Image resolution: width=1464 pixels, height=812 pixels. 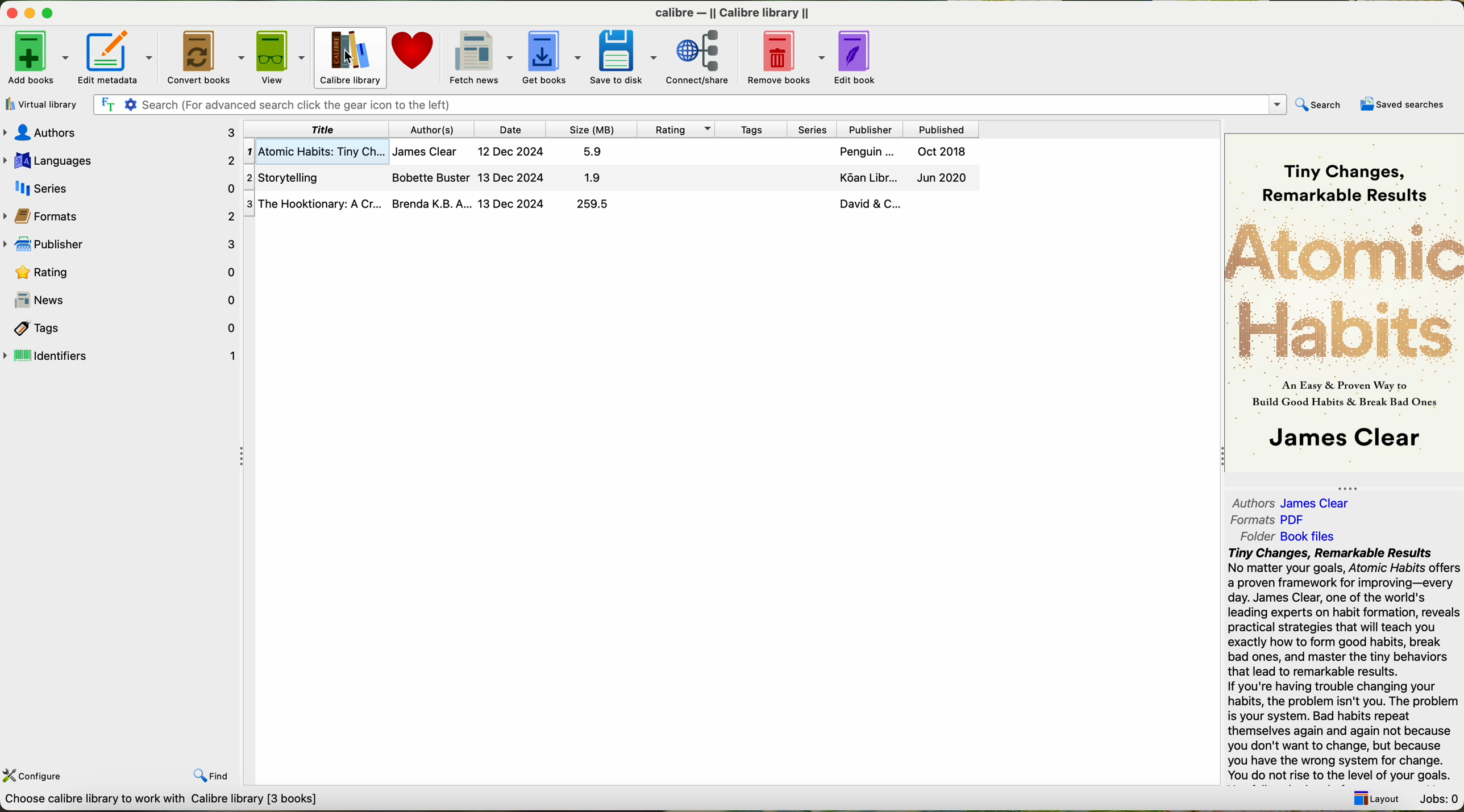 What do you see at coordinates (1345, 289) in the screenshot?
I see `Atomic Habits` at bounding box center [1345, 289].